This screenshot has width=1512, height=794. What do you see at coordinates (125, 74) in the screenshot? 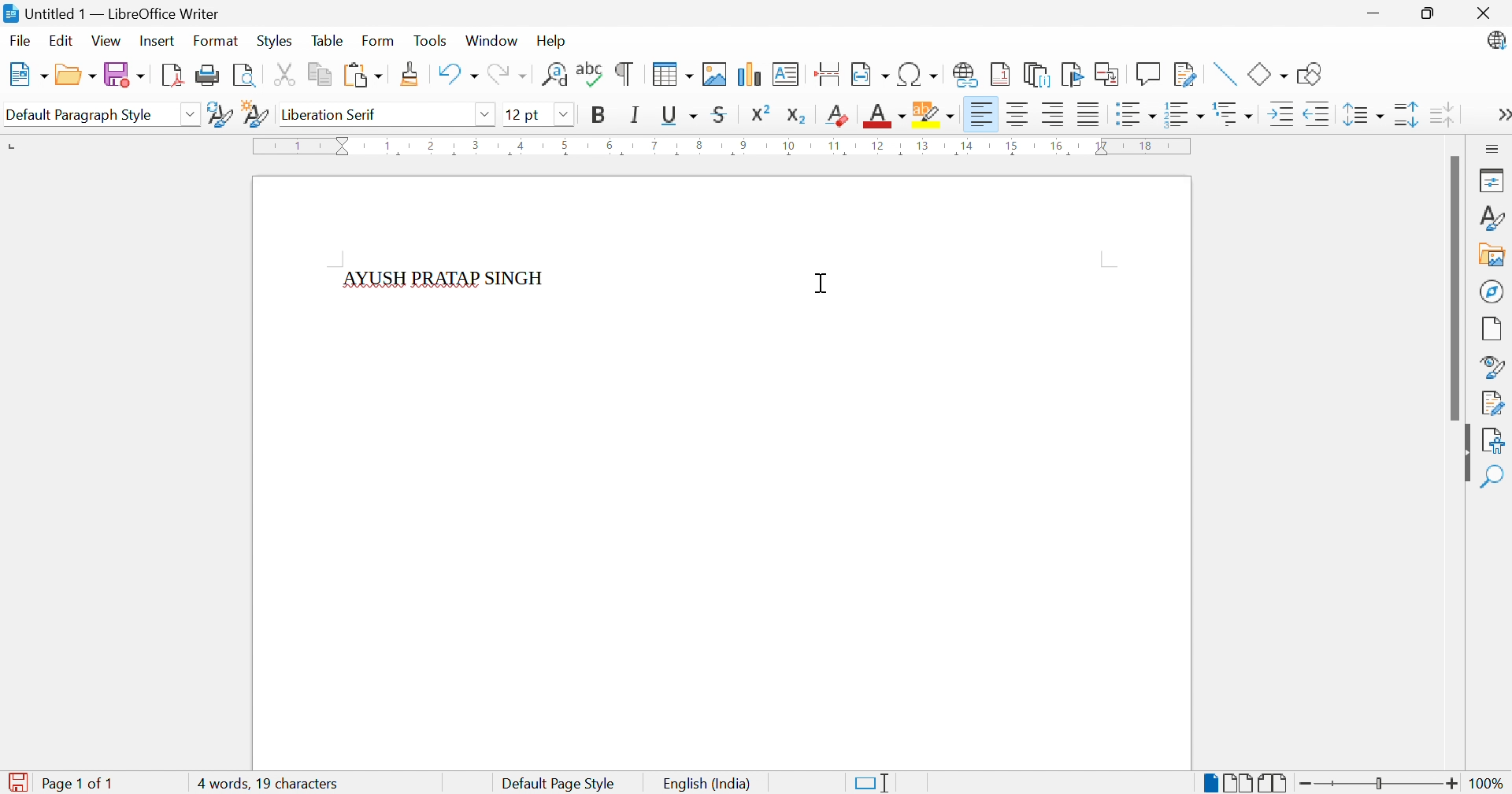
I see `Save` at bounding box center [125, 74].